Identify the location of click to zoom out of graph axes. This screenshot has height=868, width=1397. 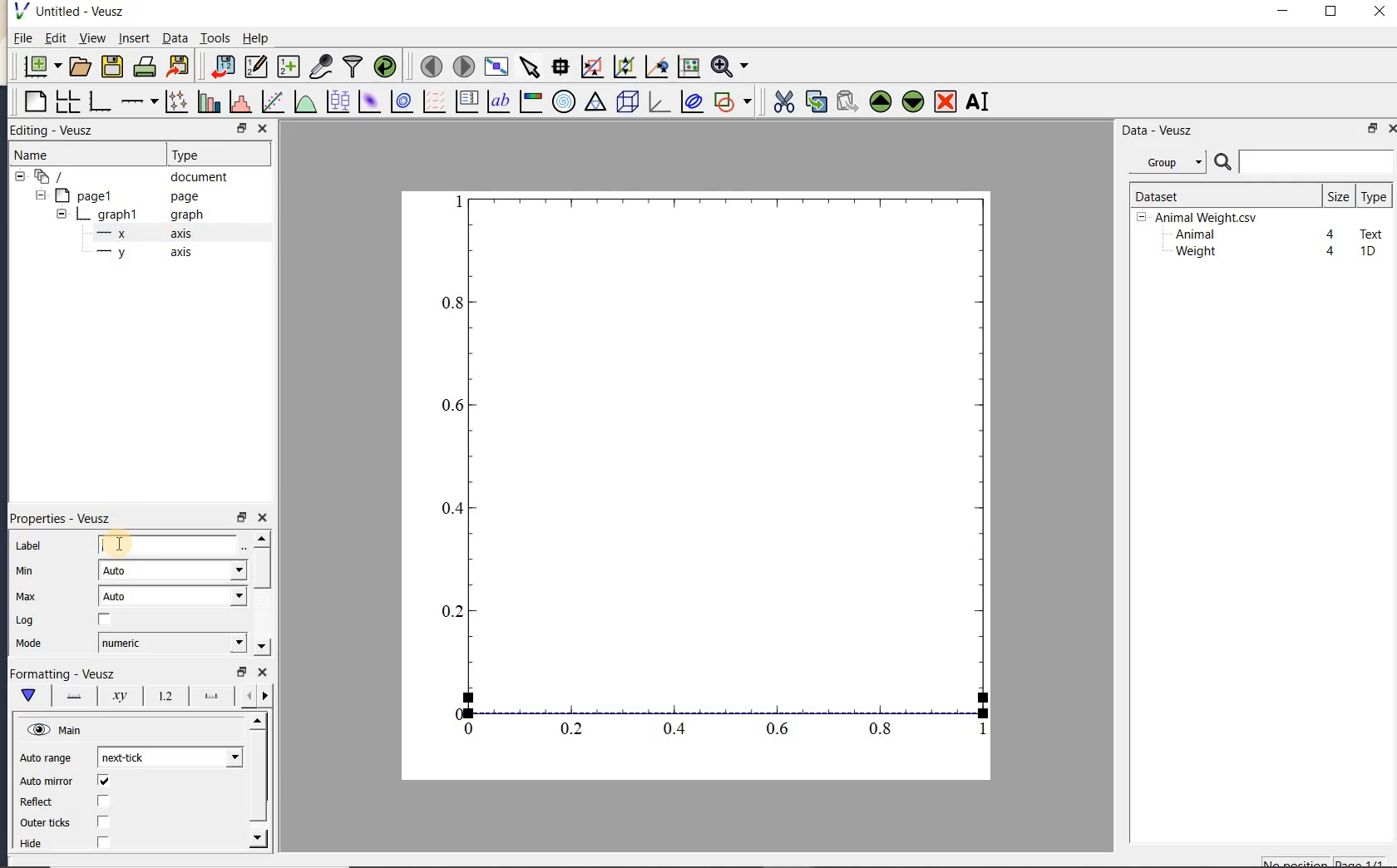
(625, 66).